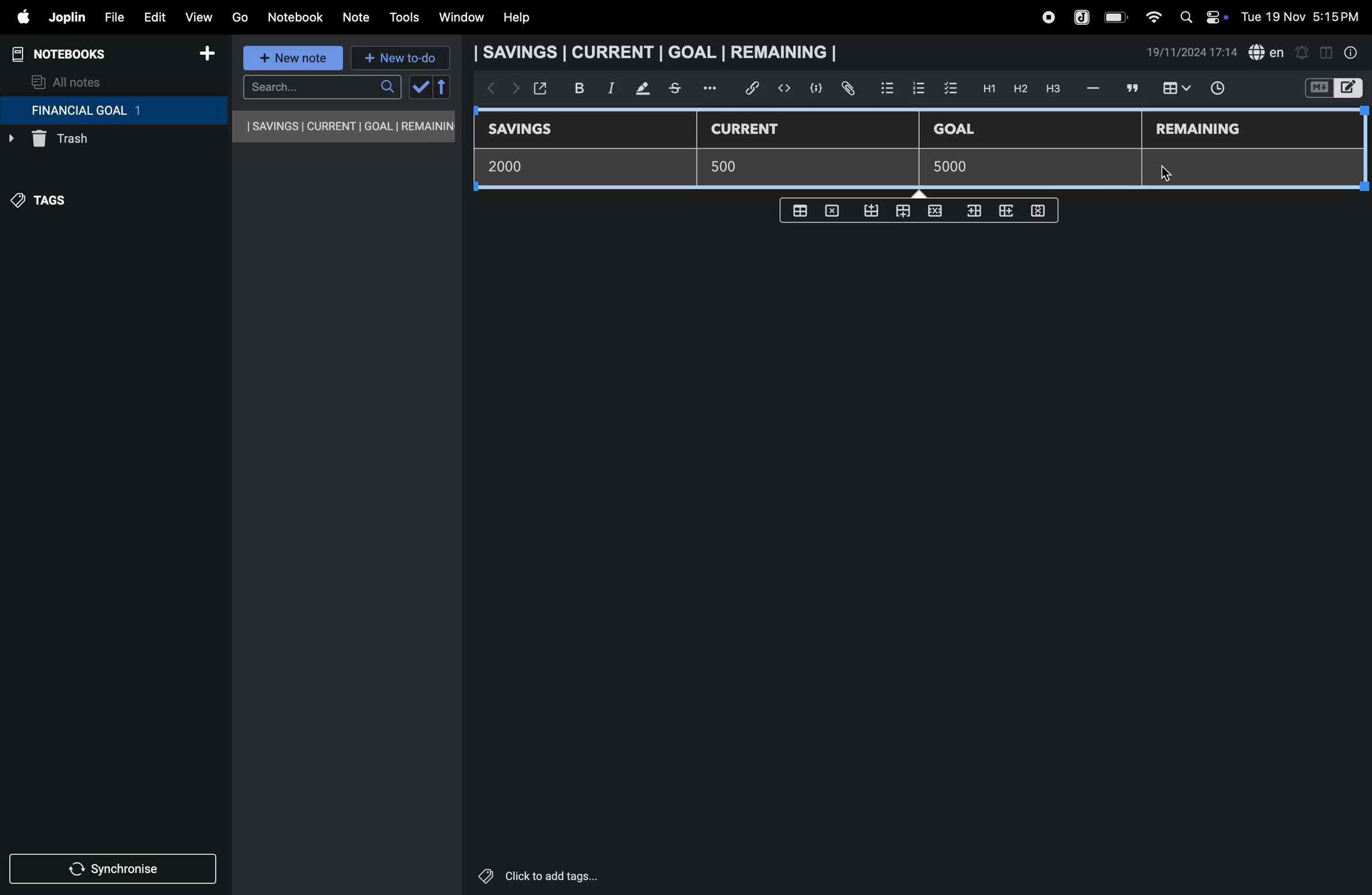 The height and width of the screenshot is (895, 1372). I want to click on toggle editor, so click(1326, 51).